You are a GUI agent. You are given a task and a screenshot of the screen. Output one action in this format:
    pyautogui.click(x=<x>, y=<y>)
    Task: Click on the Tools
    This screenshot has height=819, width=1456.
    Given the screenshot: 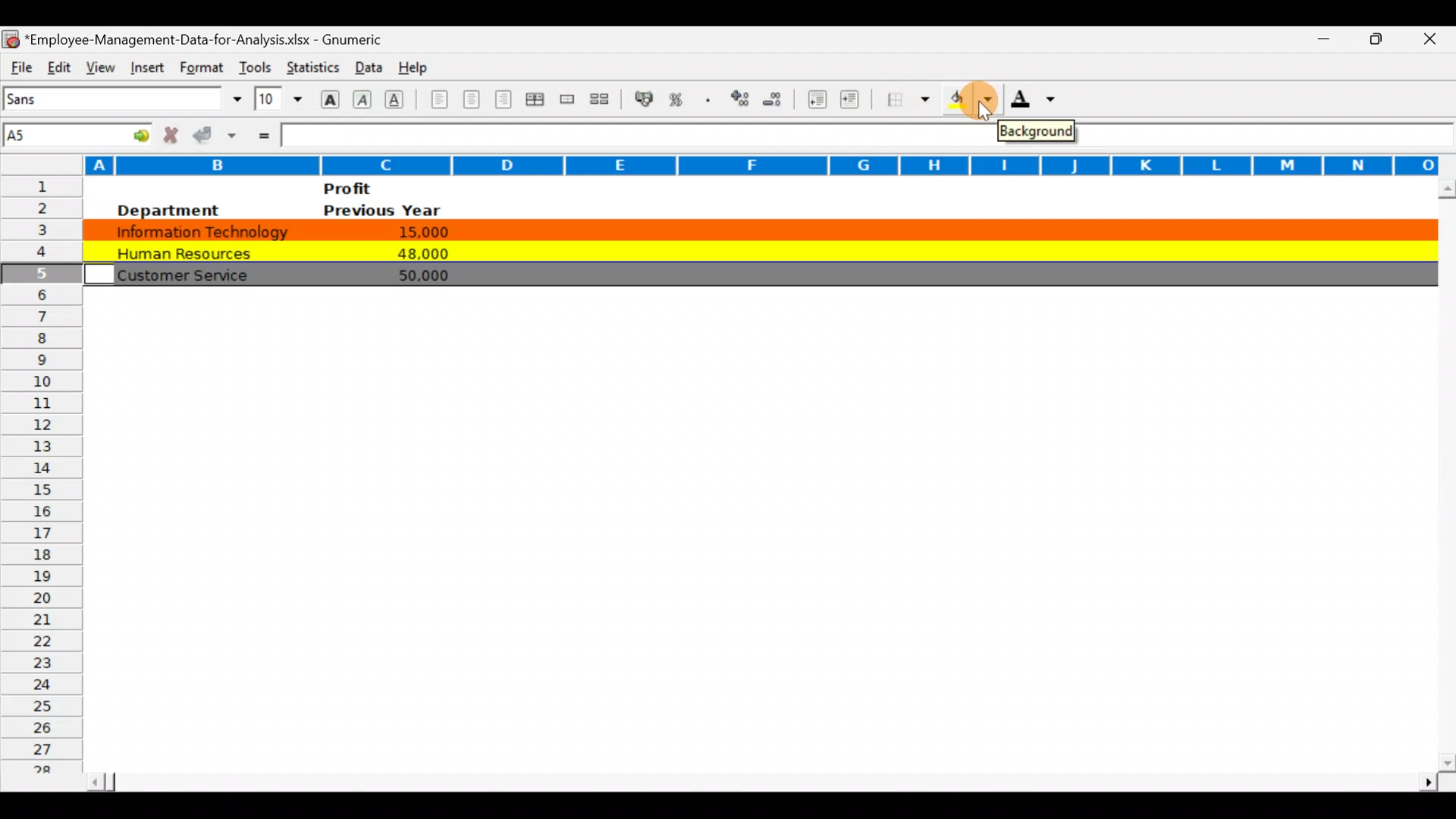 What is the action you would take?
    pyautogui.click(x=255, y=64)
    